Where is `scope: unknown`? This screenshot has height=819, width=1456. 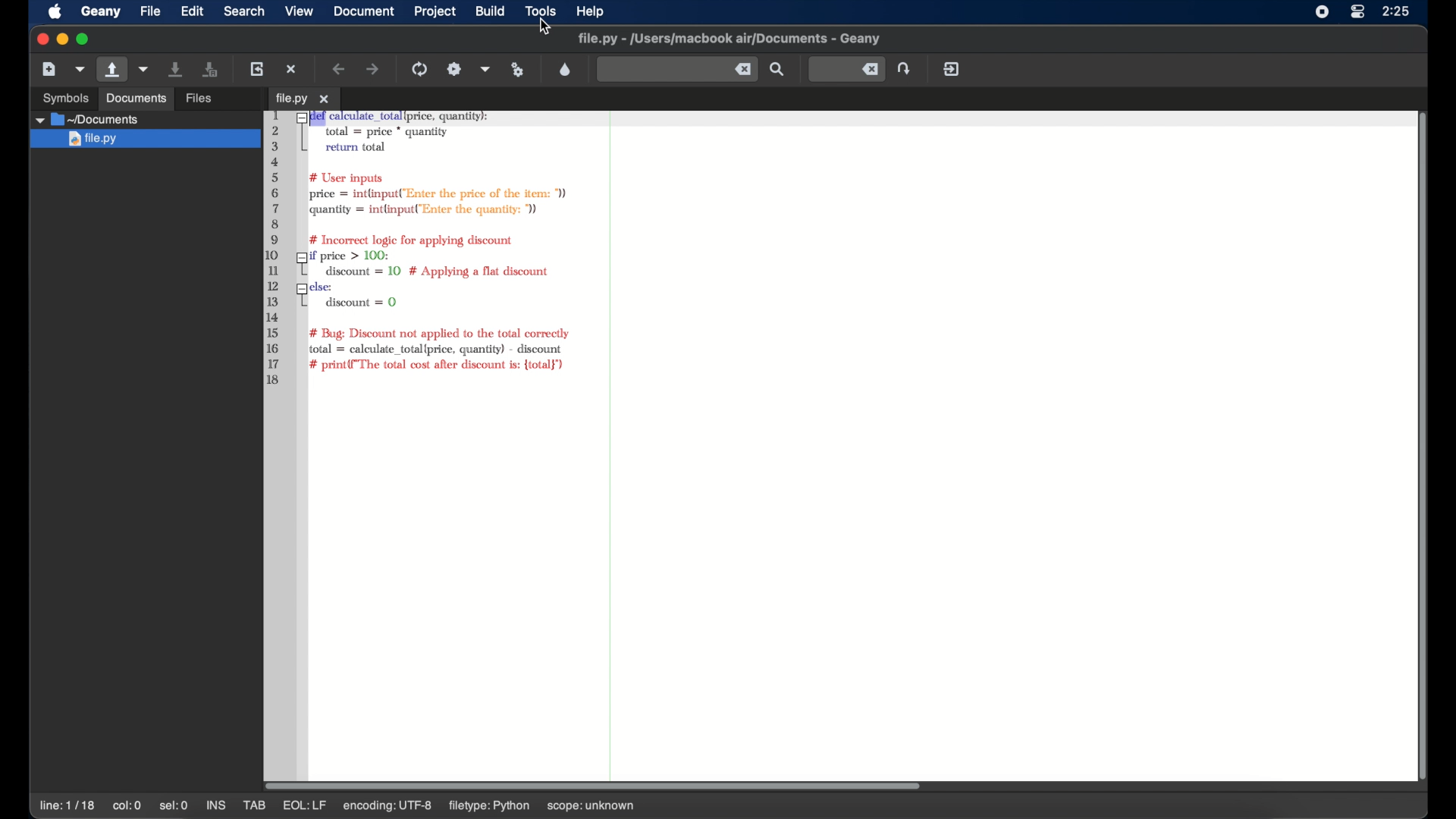
scope: unknown is located at coordinates (637, 807).